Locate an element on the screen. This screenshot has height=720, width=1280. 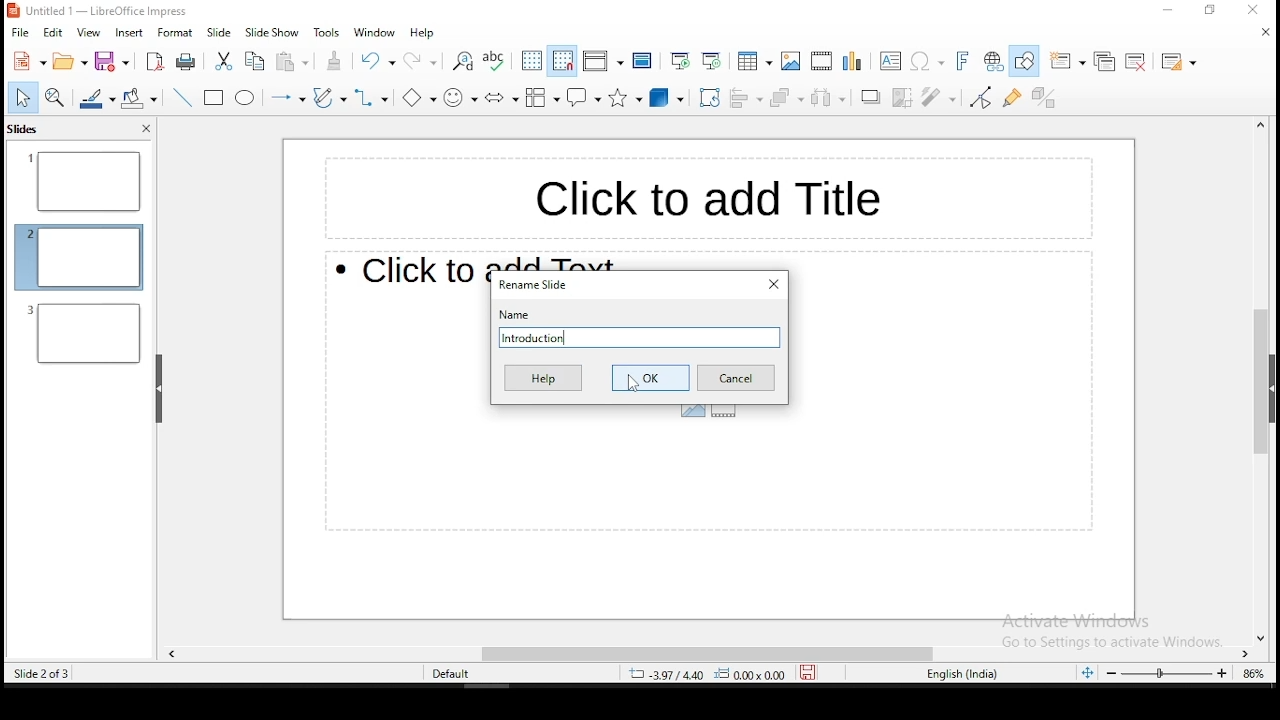
toggle point edit mode is located at coordinates (979, 99).